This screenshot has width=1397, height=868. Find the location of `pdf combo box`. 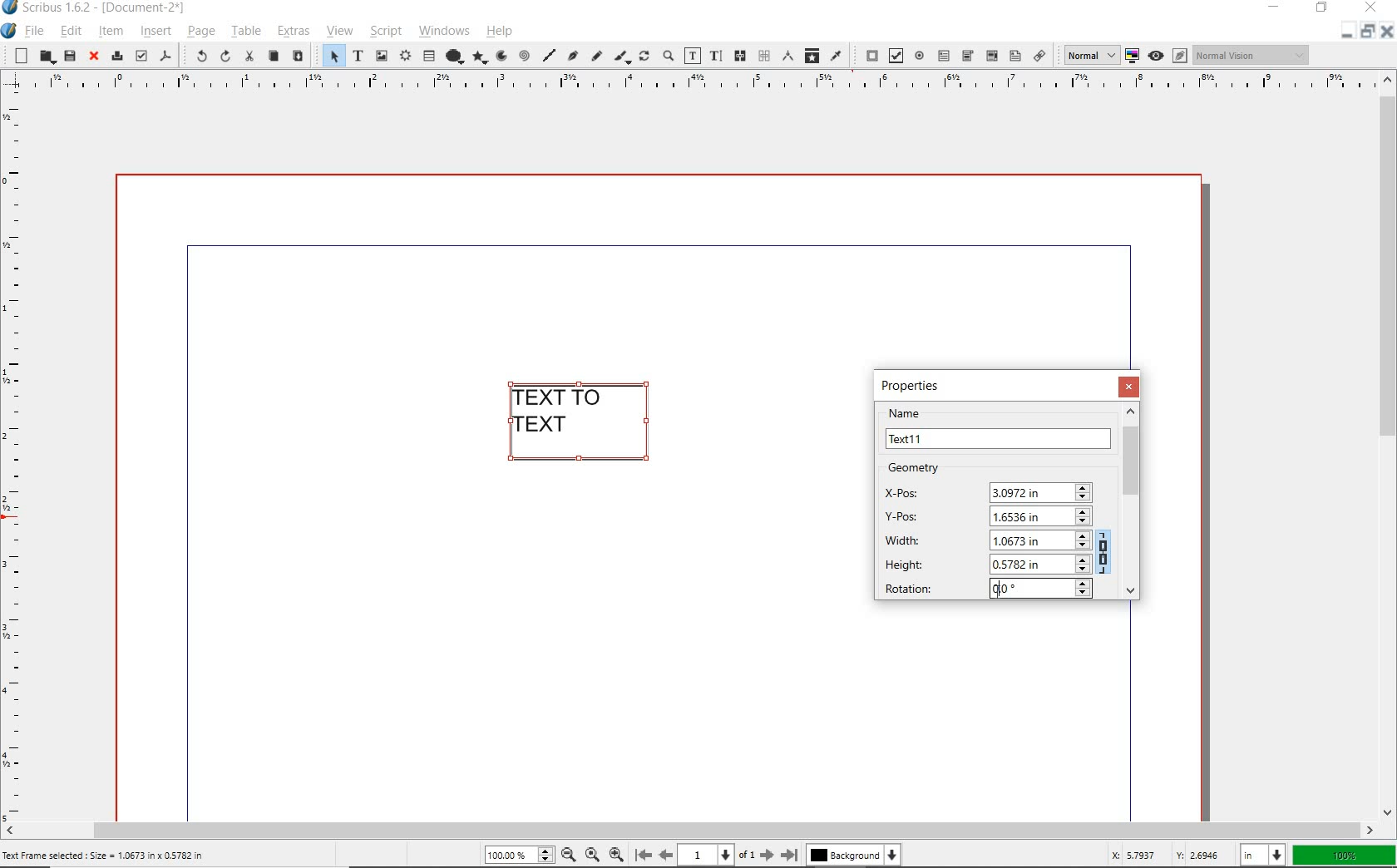

pdf combo box is located at coordinates (991, 57).